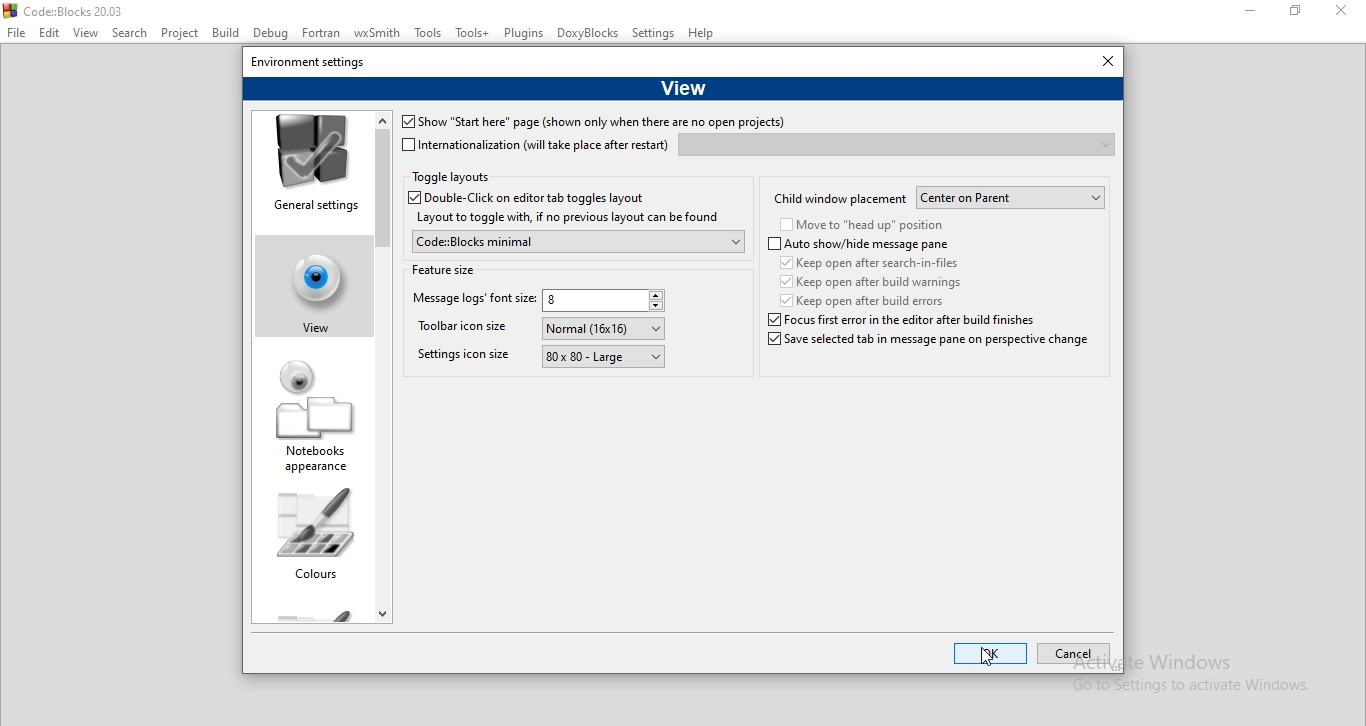 The width and height of the screenshot is (1366, 726). What do you see at coordinates (866, 320) in the screenshot?
I see `Focus first error in the editor after build finishes` at bounding box center [866, 320].